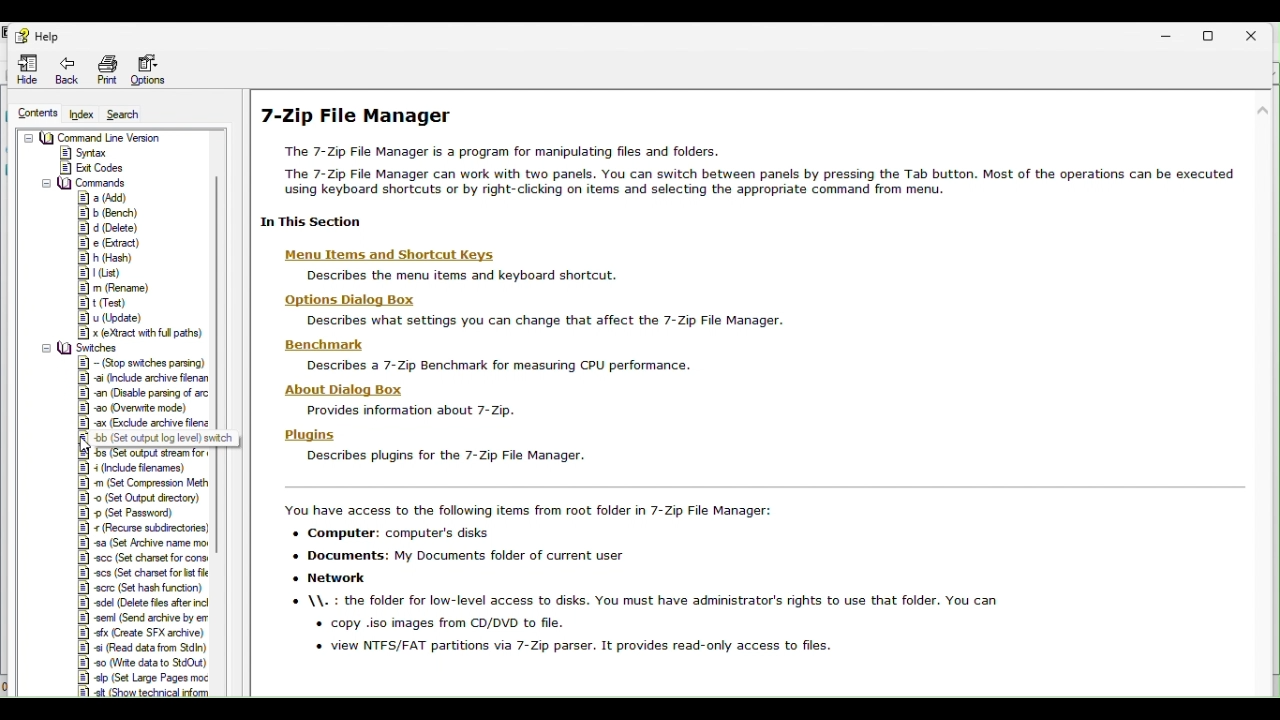 The width and height of the screenshot is (1280, 720). What do you see at coordinates (136, 513) in the screenshot?
I see `5) p (Set Password)` at bounding box center [136, 513].